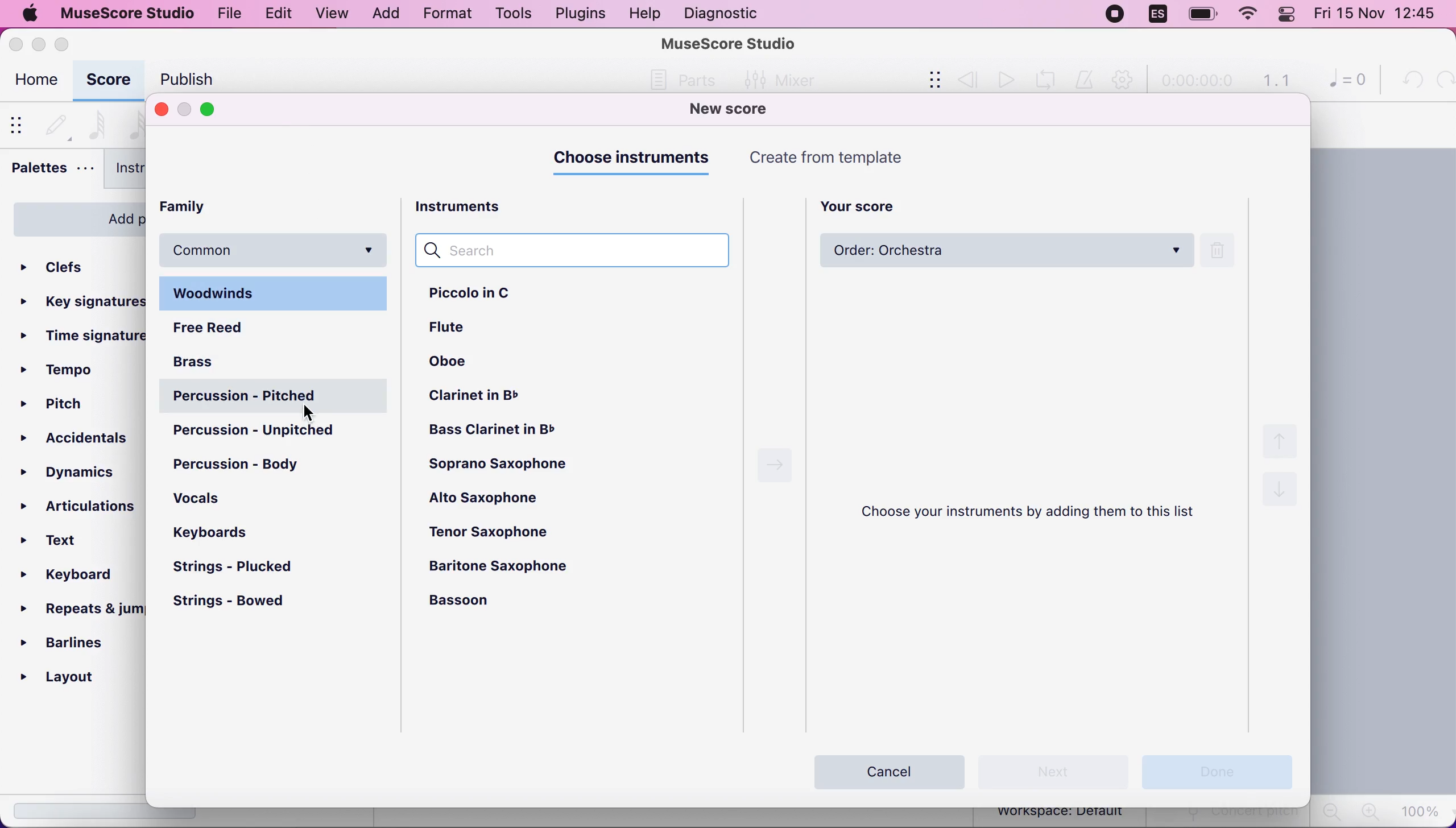 The height and width of the screenshot is (828, 1456). I want to click on Mixer, so click(776, 78).